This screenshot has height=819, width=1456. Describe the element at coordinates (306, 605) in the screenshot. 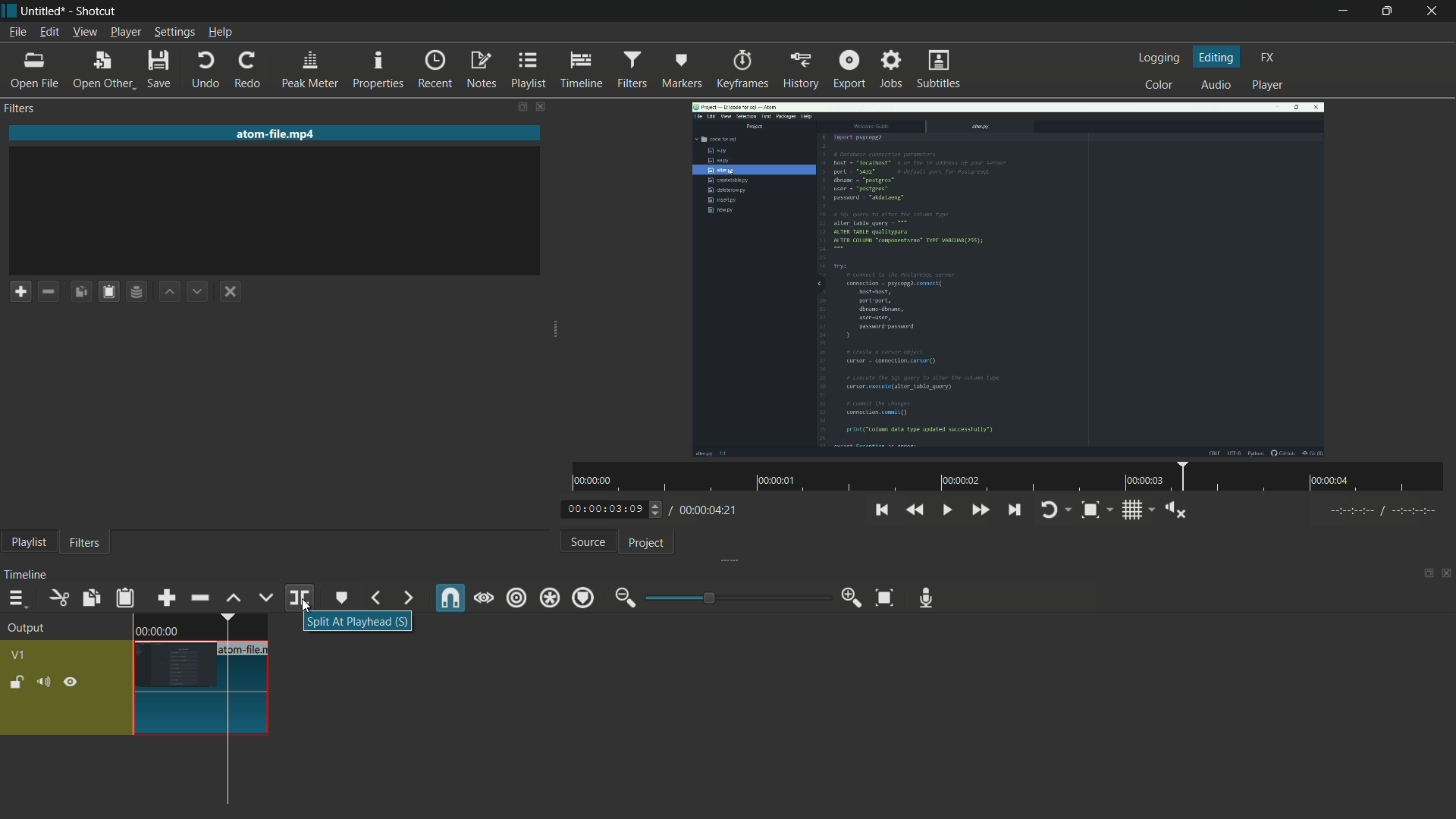

I see `cursor` at that location.